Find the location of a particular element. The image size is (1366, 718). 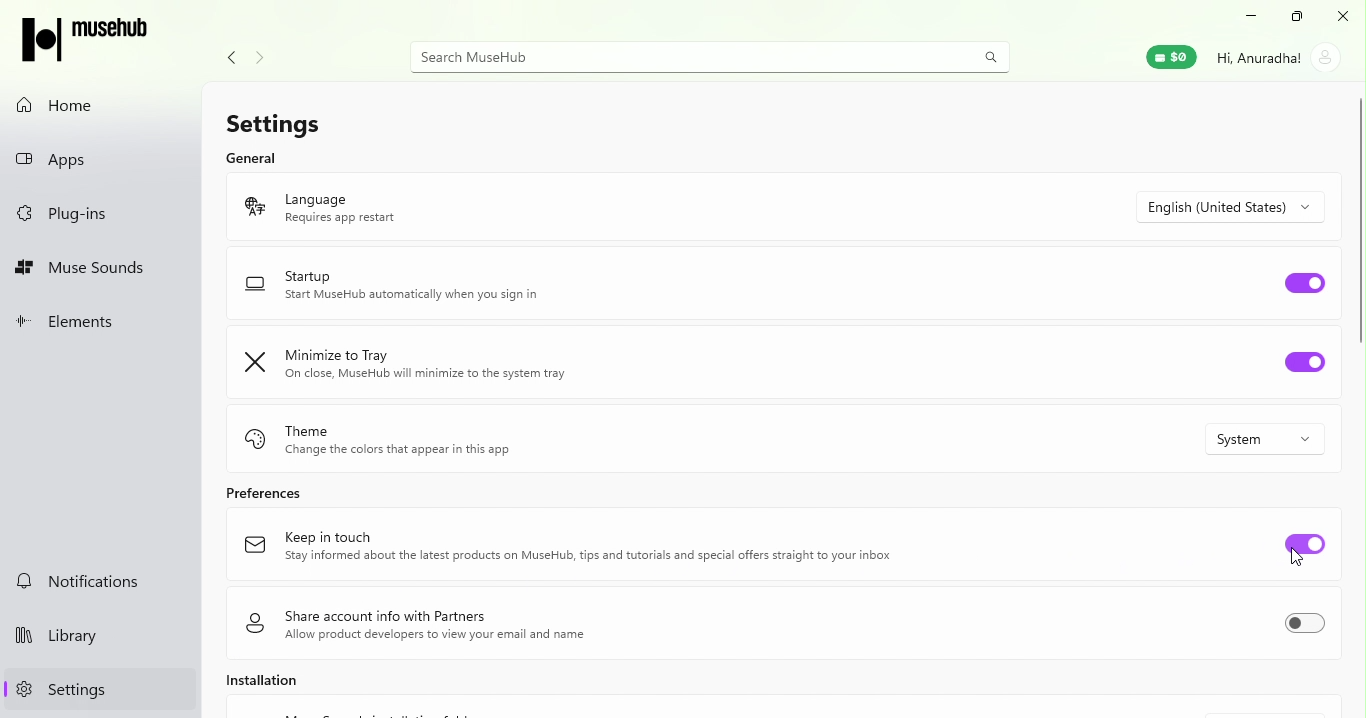

Apps is located at coordinates (104, 160).